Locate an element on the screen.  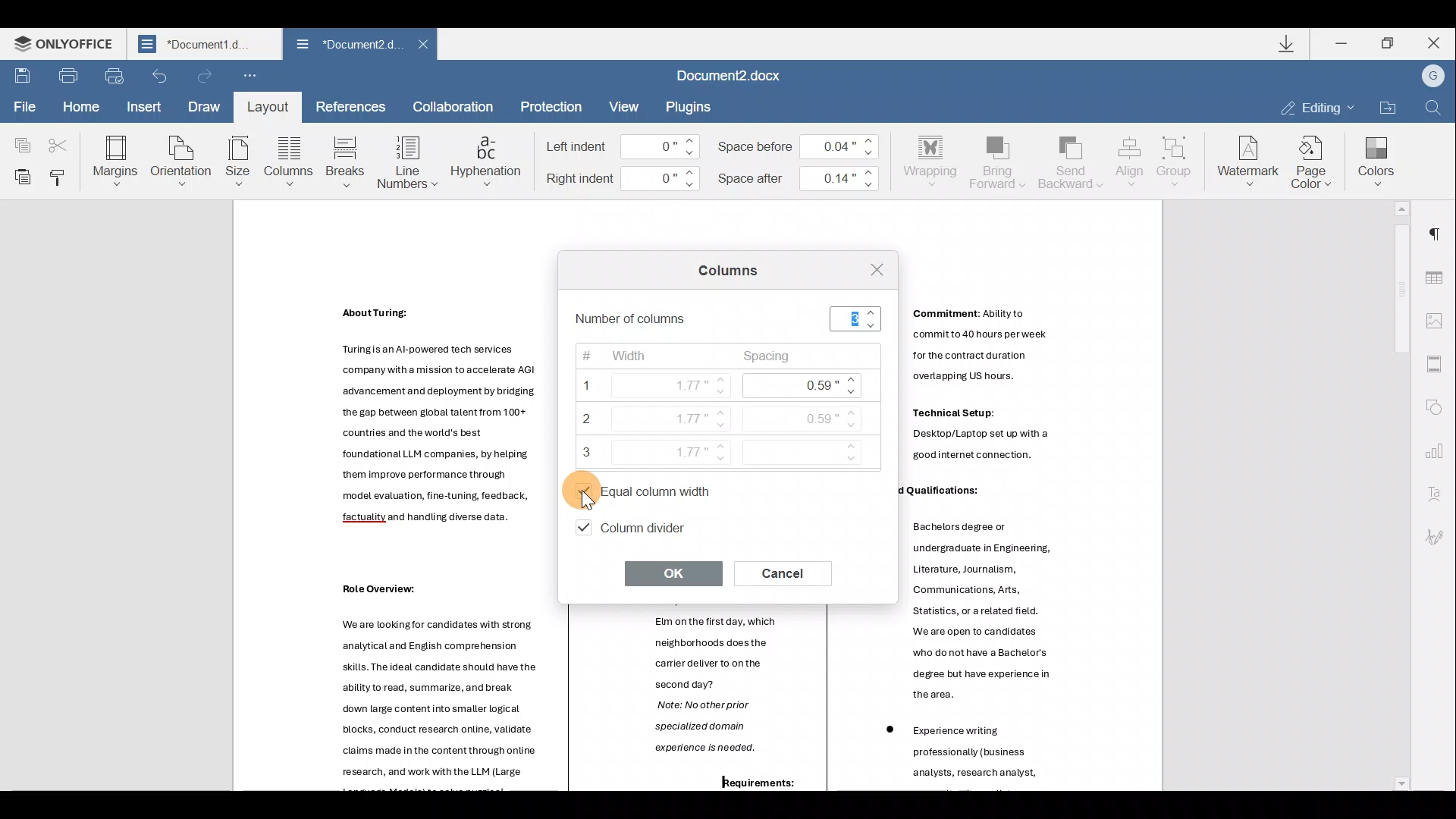
Page color is located at coordinates (1315, 159).